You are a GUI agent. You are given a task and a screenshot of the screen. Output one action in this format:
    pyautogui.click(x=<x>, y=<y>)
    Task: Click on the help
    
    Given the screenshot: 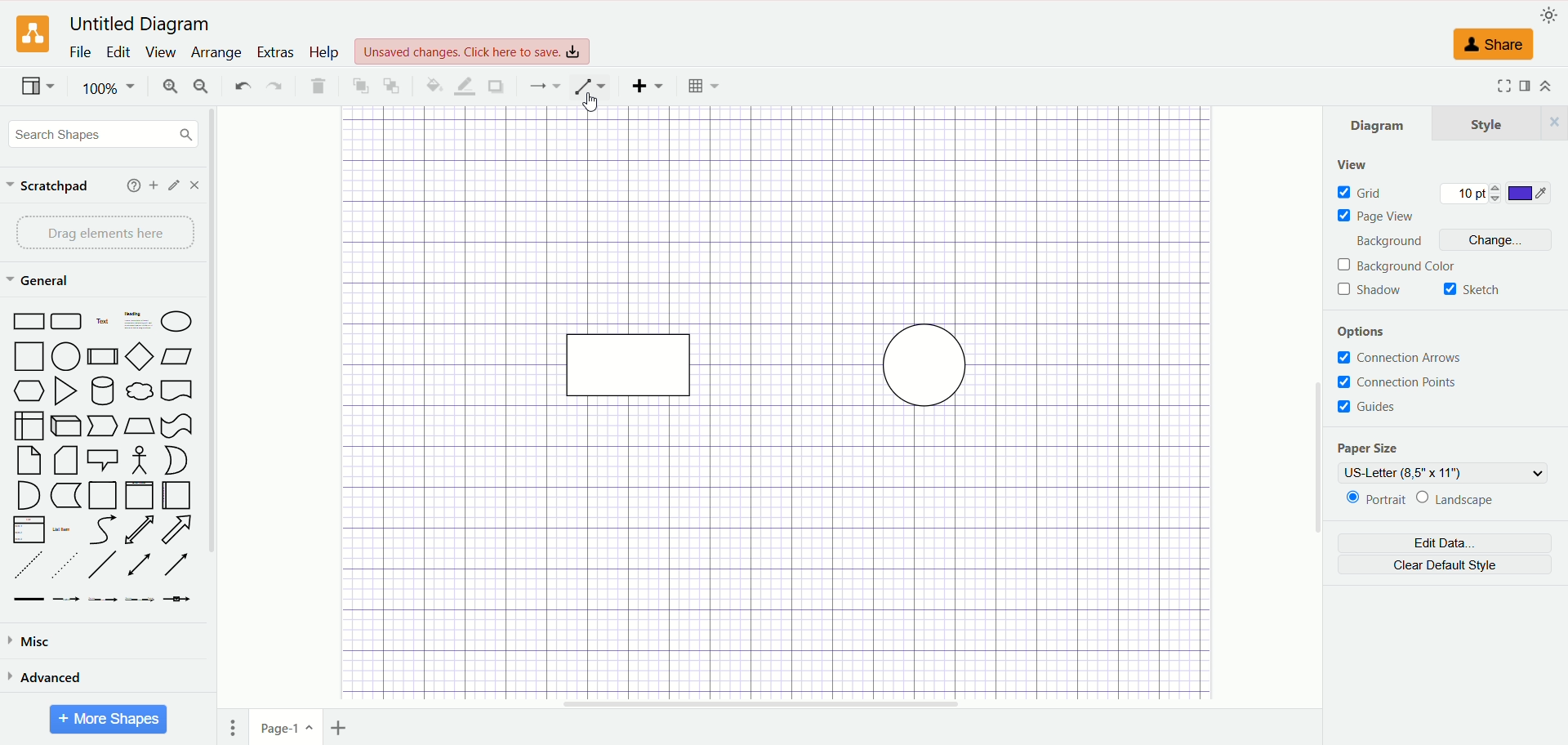 What is the action you would take?
    pyautogui.click(x=324, y=53)
    